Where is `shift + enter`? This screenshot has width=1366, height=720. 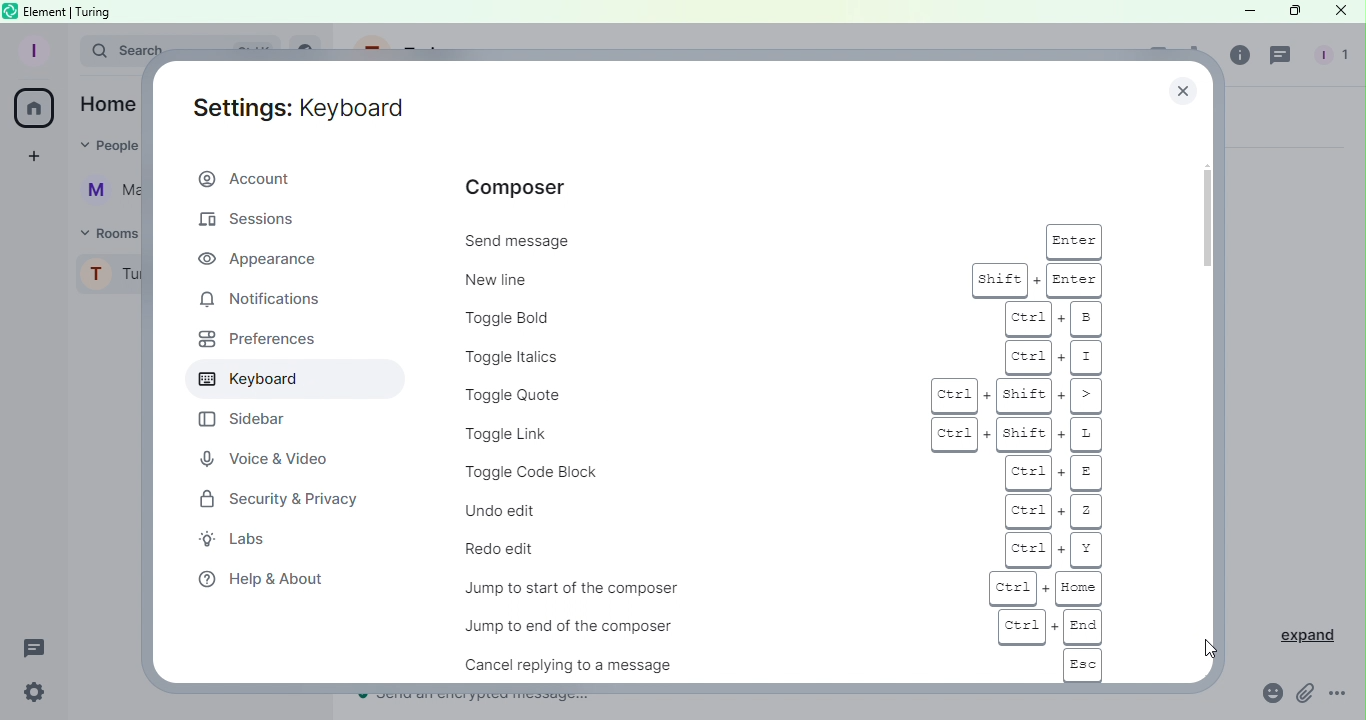 shift + enter is located at coordinates (1038, 281).